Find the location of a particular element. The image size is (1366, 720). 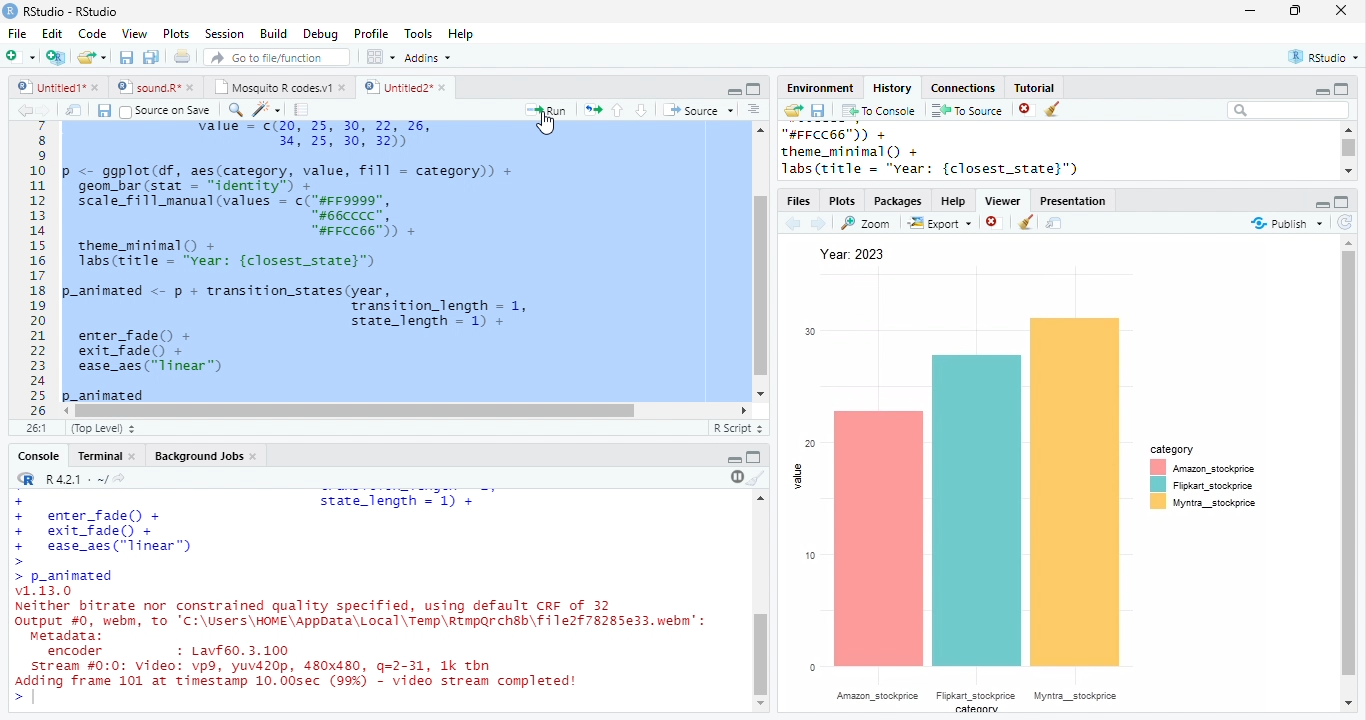

category is located at coordinates (974, 708).